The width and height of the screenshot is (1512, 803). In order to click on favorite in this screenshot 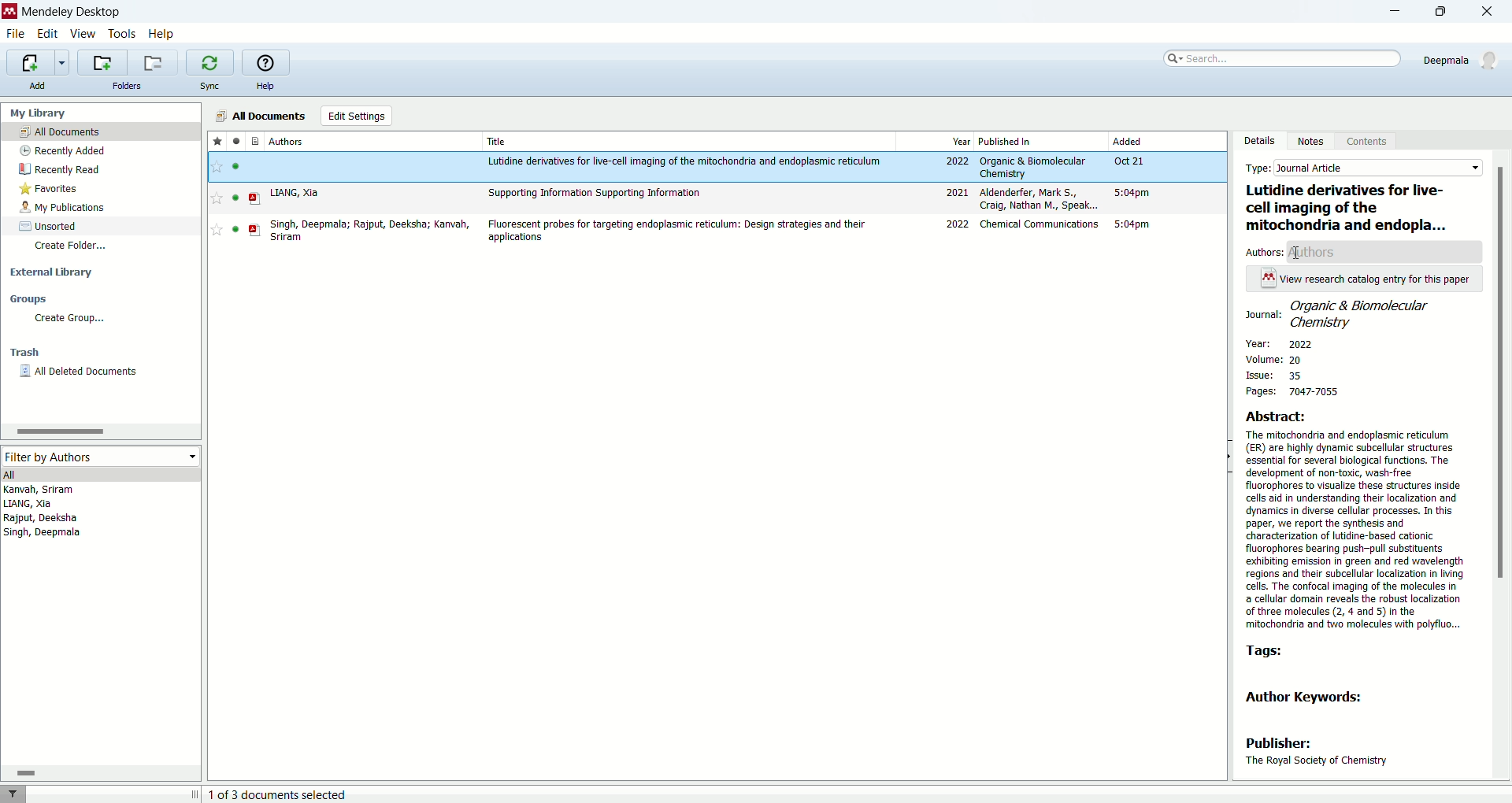, I will do `click(214, 141)`.